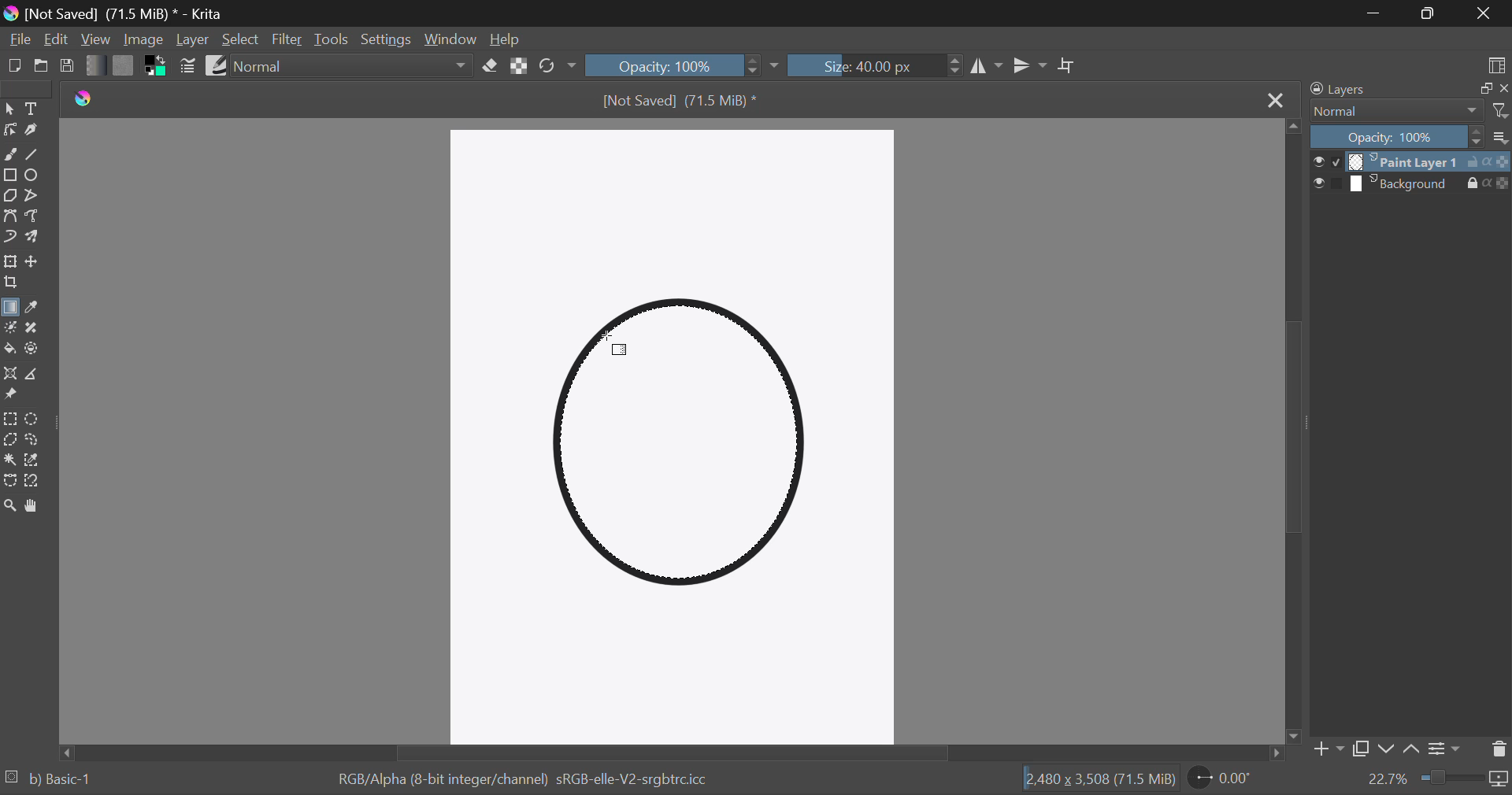  I want to click on Layer, so click(193, 40).